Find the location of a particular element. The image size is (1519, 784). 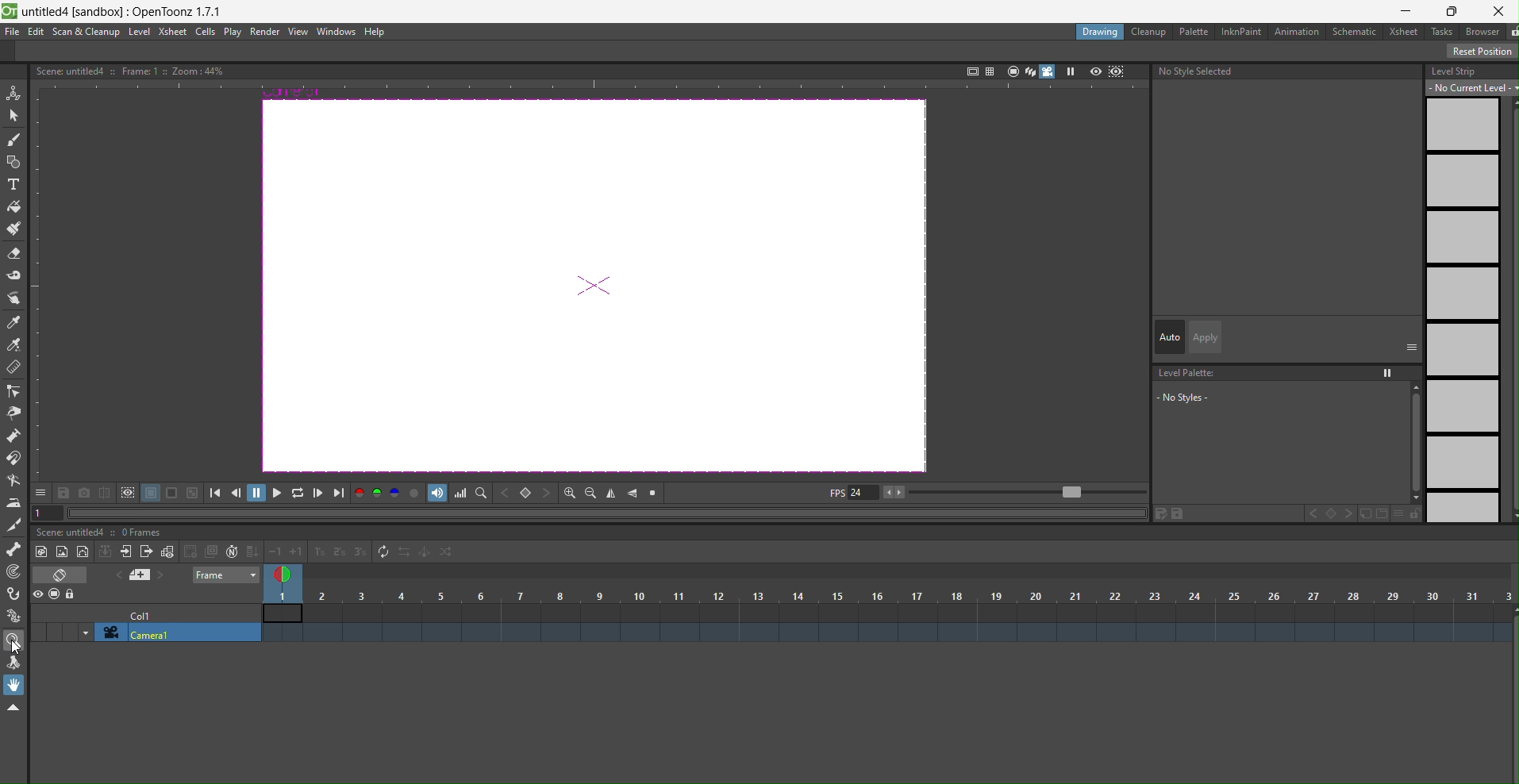

skeleton tool is located at coordinates (15, 551).